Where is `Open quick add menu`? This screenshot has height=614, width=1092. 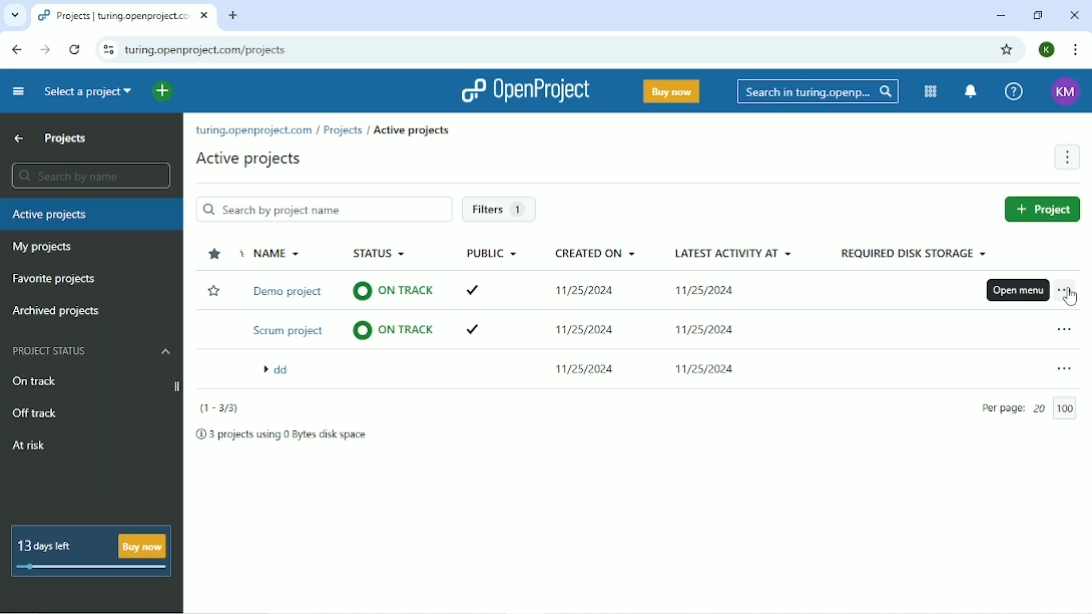
Open quick add menu is located at coordinates (161, 90).